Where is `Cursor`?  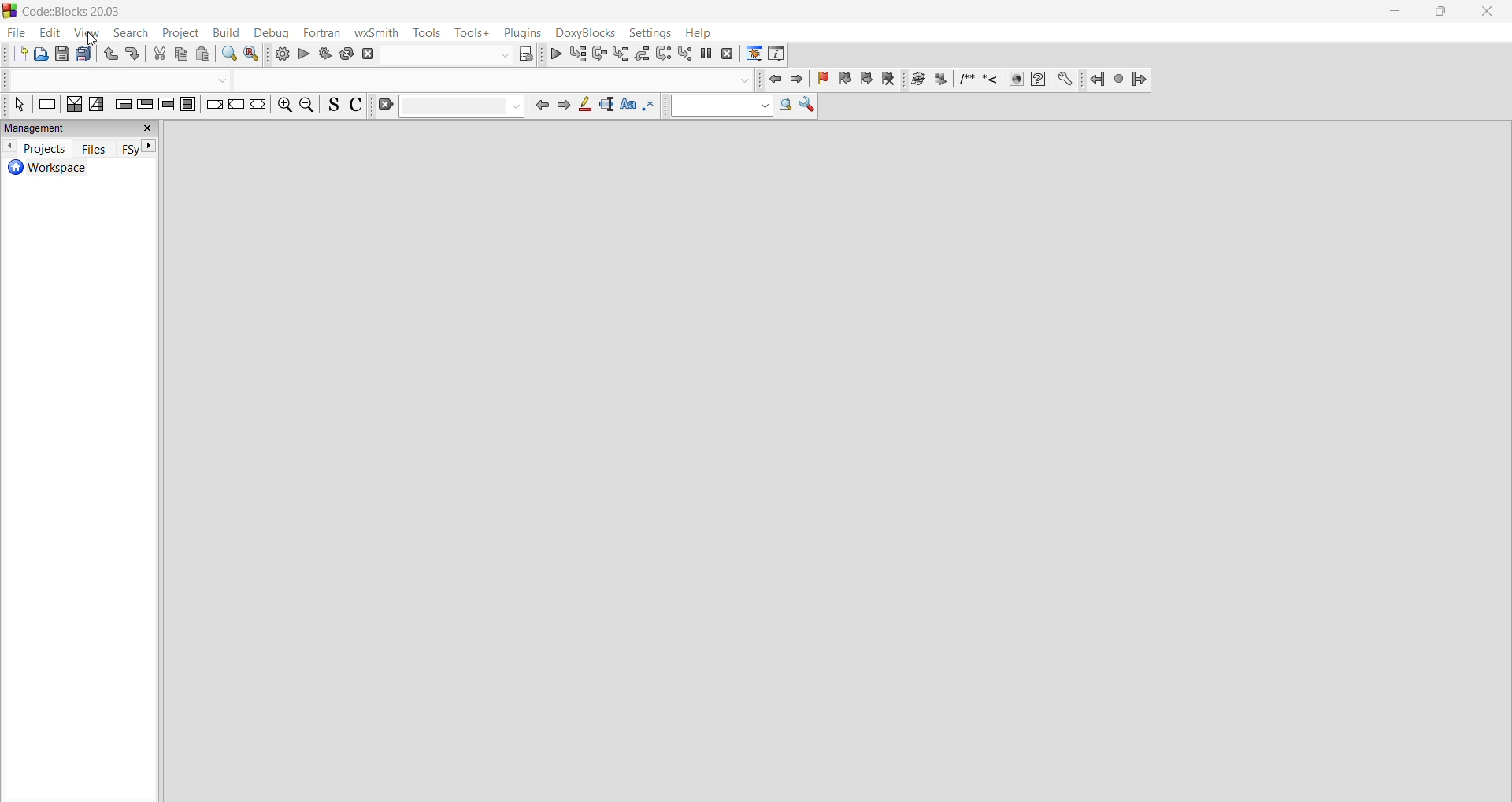 Cursor is located at coordinates (89, 37).